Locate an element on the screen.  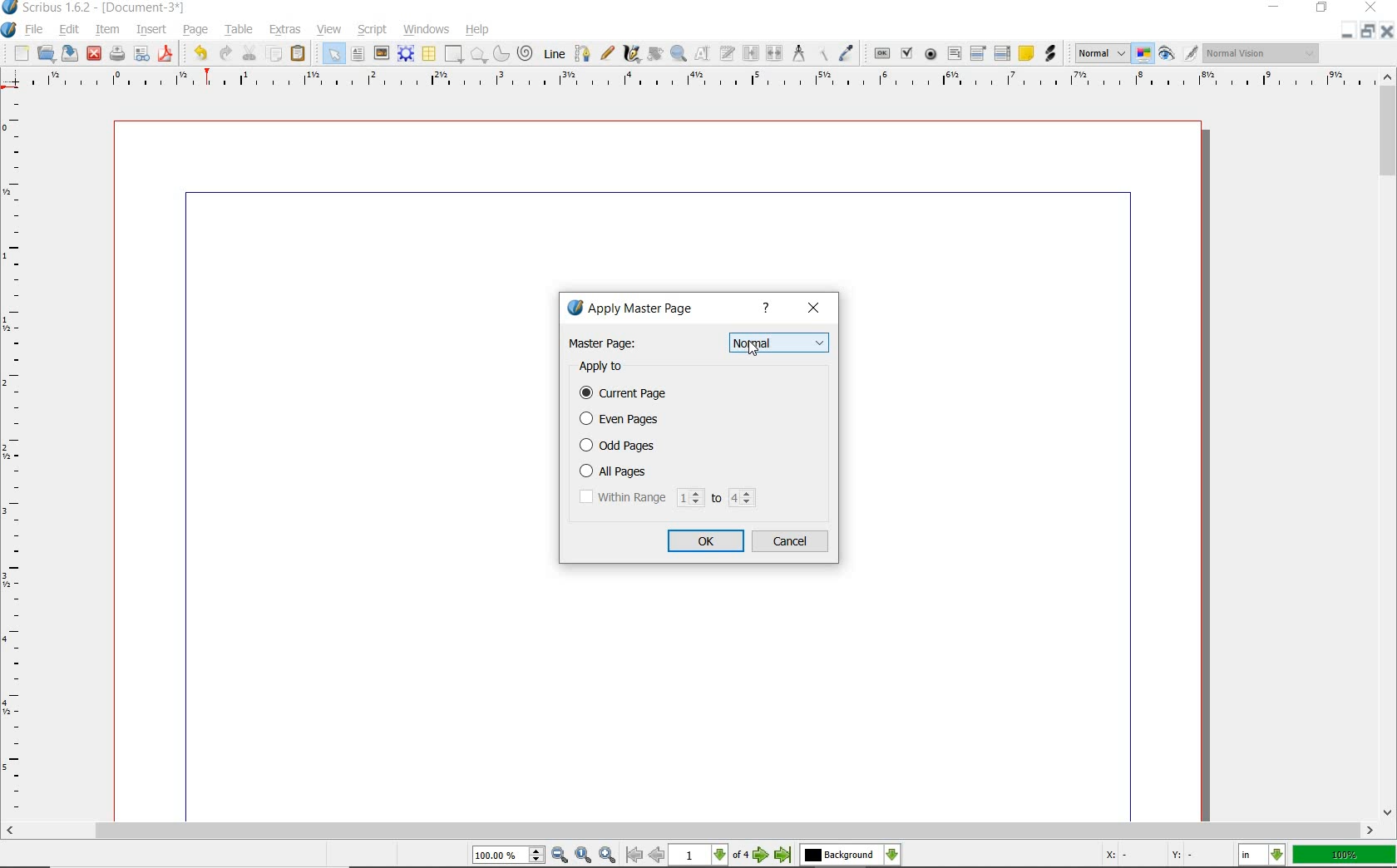
table is located at coordinates (428, 53).